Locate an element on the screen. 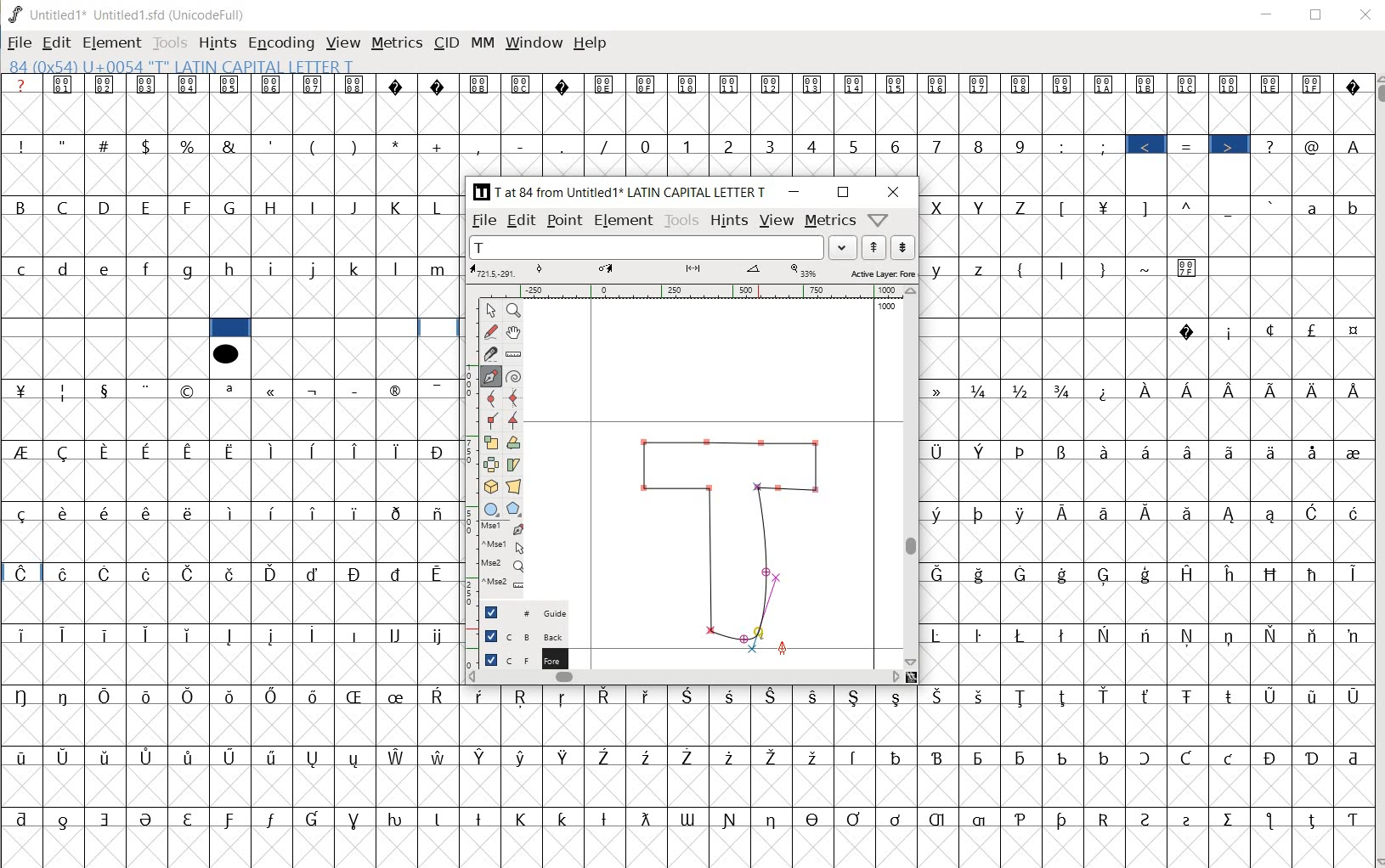 The height and width of the screenshot is (868, 1385). + is located at coordinates (439, 146).